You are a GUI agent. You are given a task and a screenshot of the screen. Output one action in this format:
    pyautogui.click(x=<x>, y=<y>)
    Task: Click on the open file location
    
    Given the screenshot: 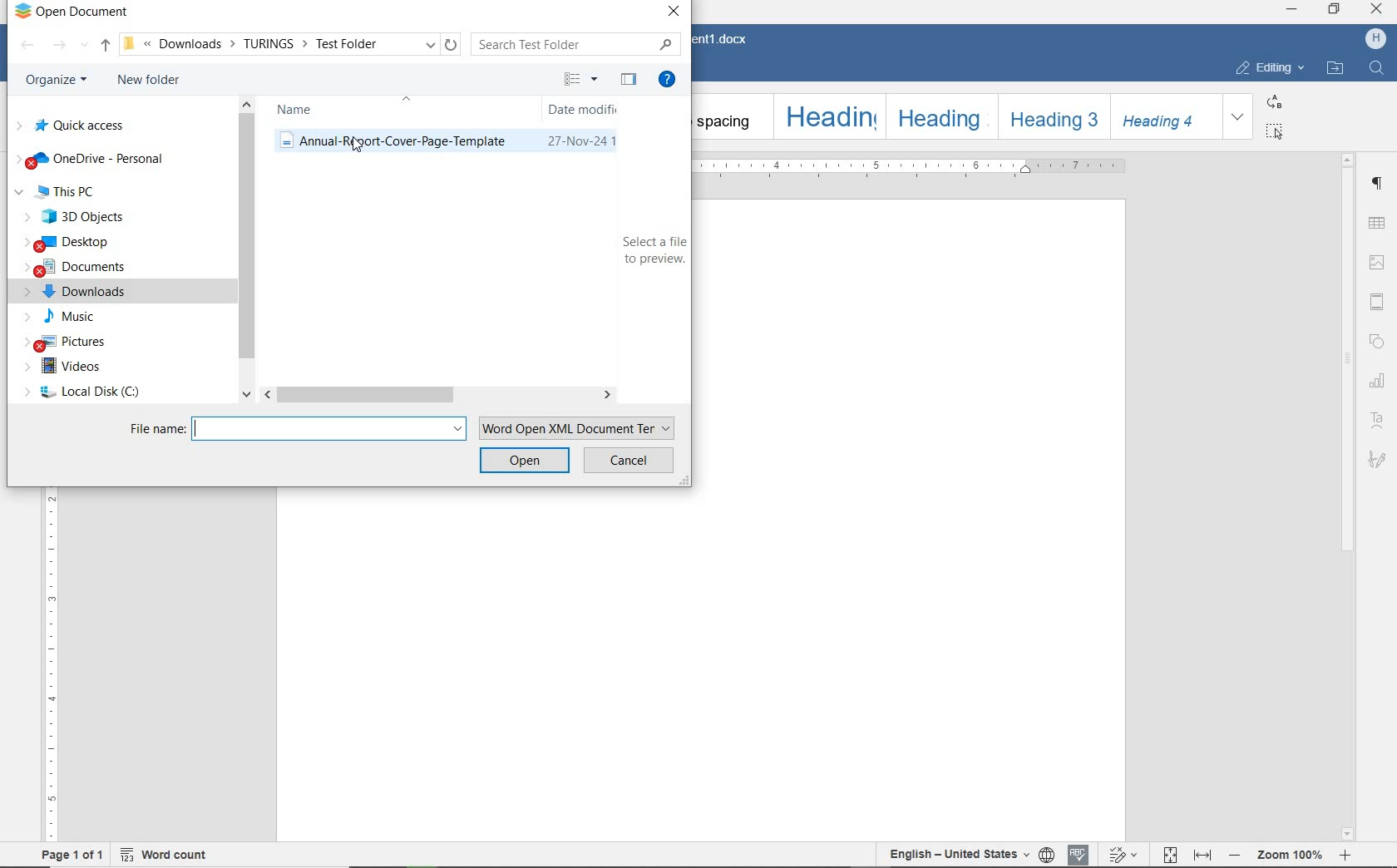 What is the action you would take?
    pyautogui.click(x=1336, y=70)
    